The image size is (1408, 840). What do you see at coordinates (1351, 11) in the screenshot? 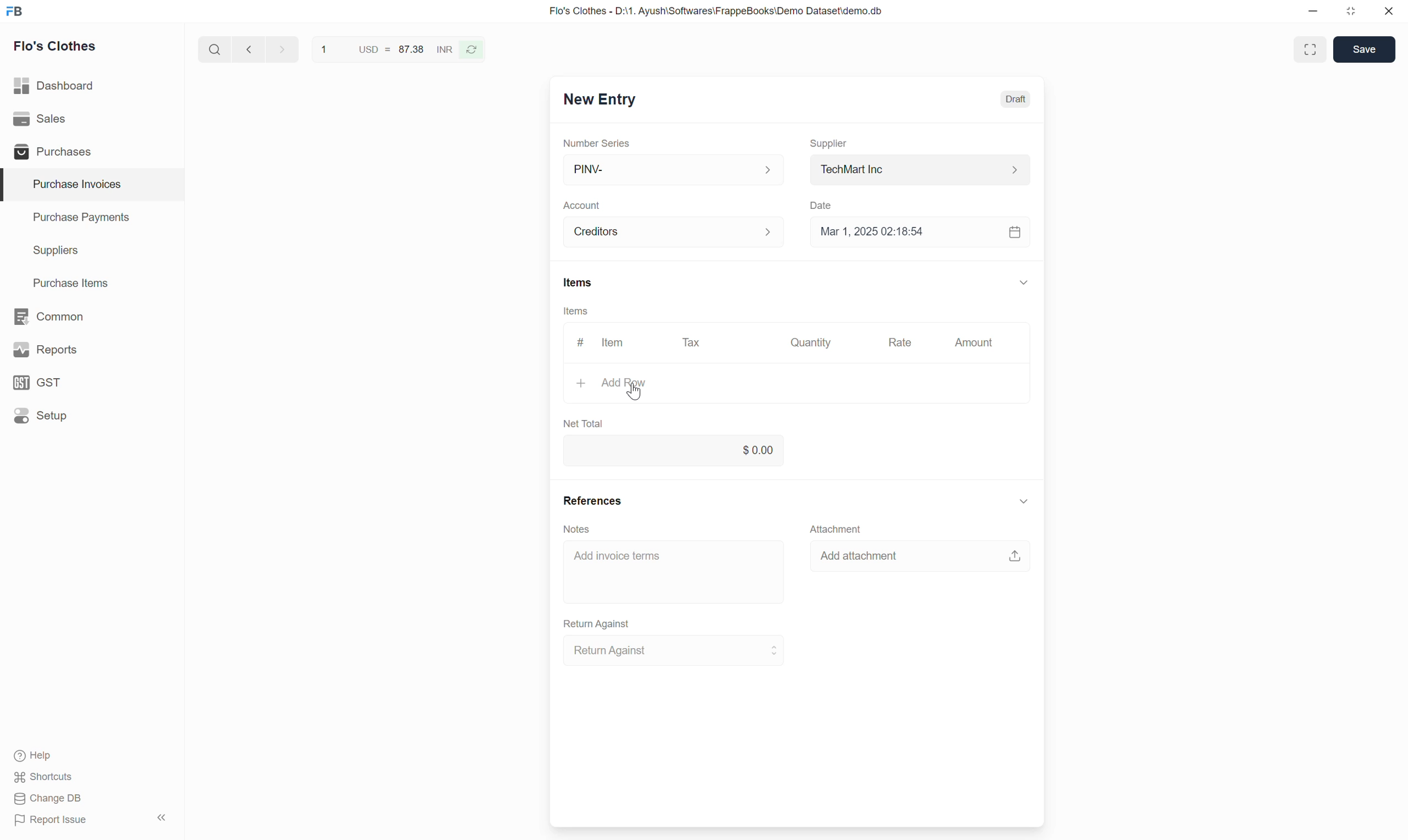
I see `Change dimension` at bounding box center [1351, 11].